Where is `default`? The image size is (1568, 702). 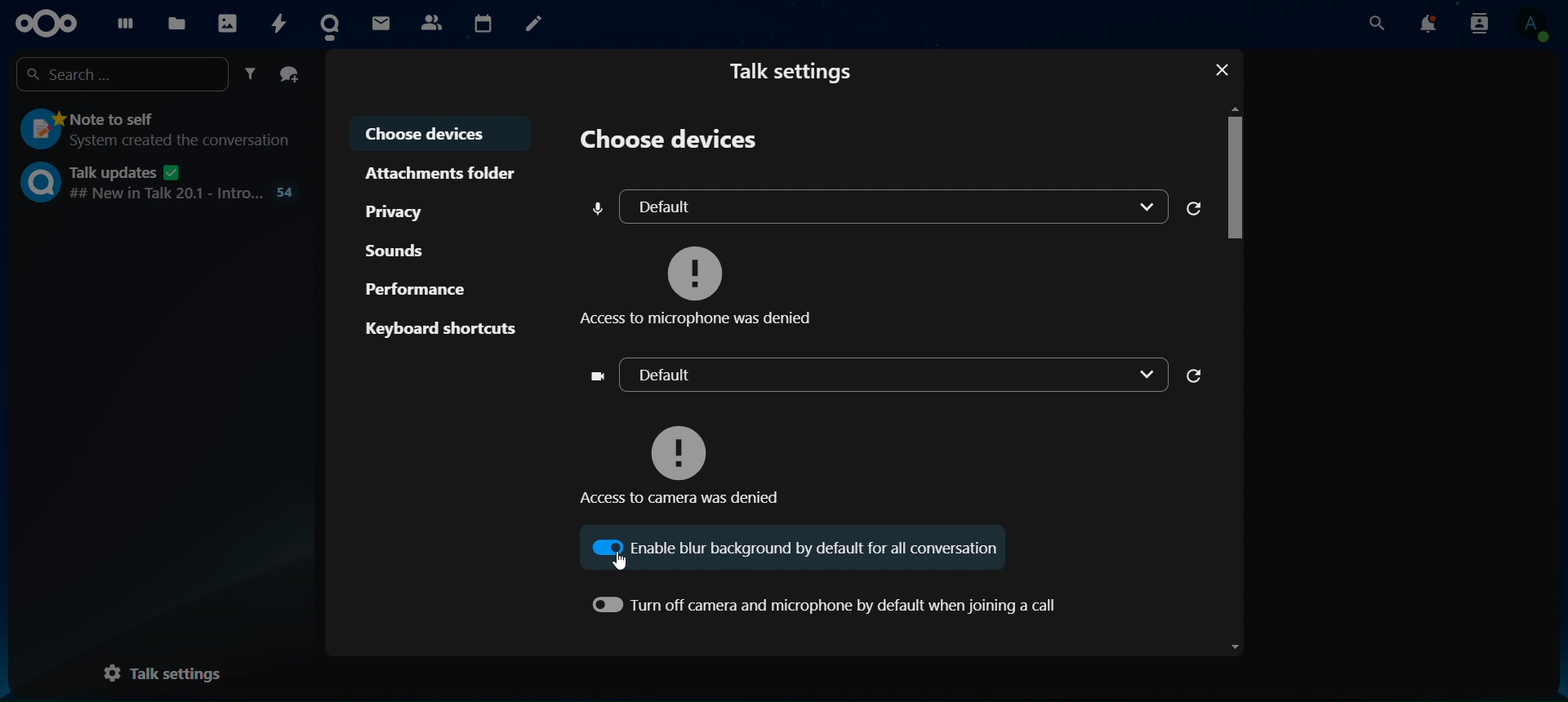 default is located at coordinates (877, 372).